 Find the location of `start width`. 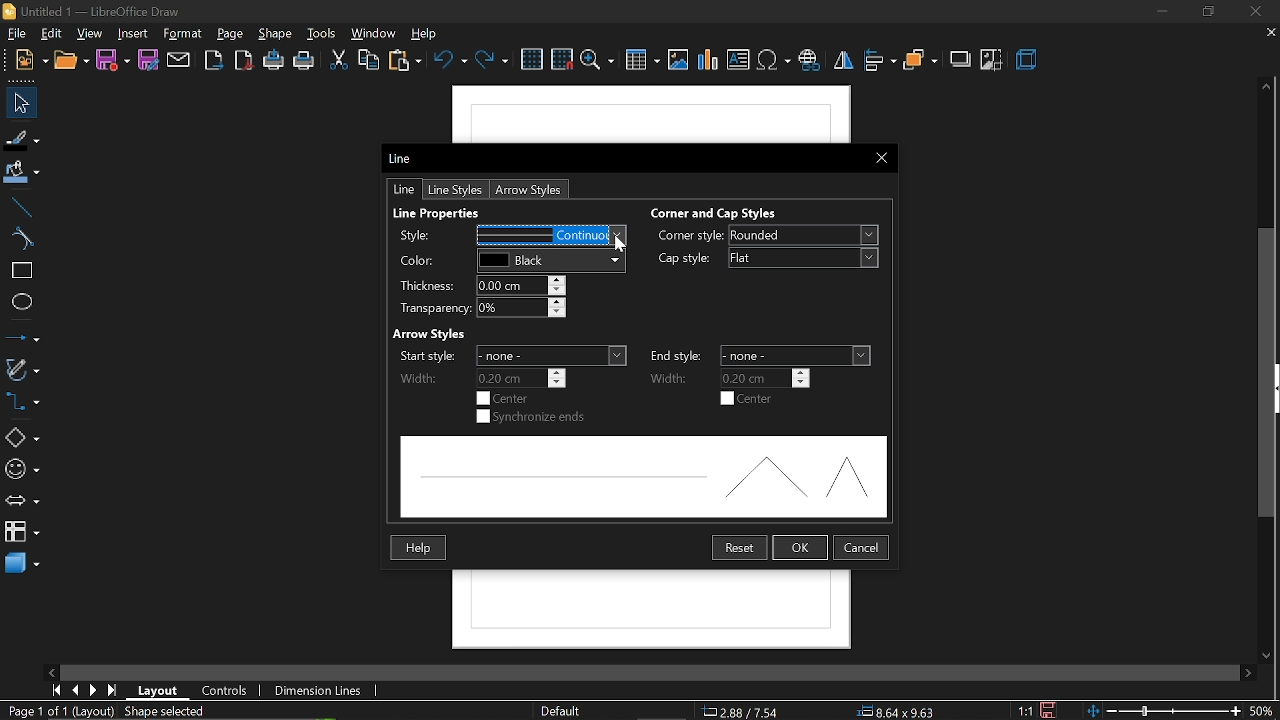

start width is located at coordinates (478, 376).